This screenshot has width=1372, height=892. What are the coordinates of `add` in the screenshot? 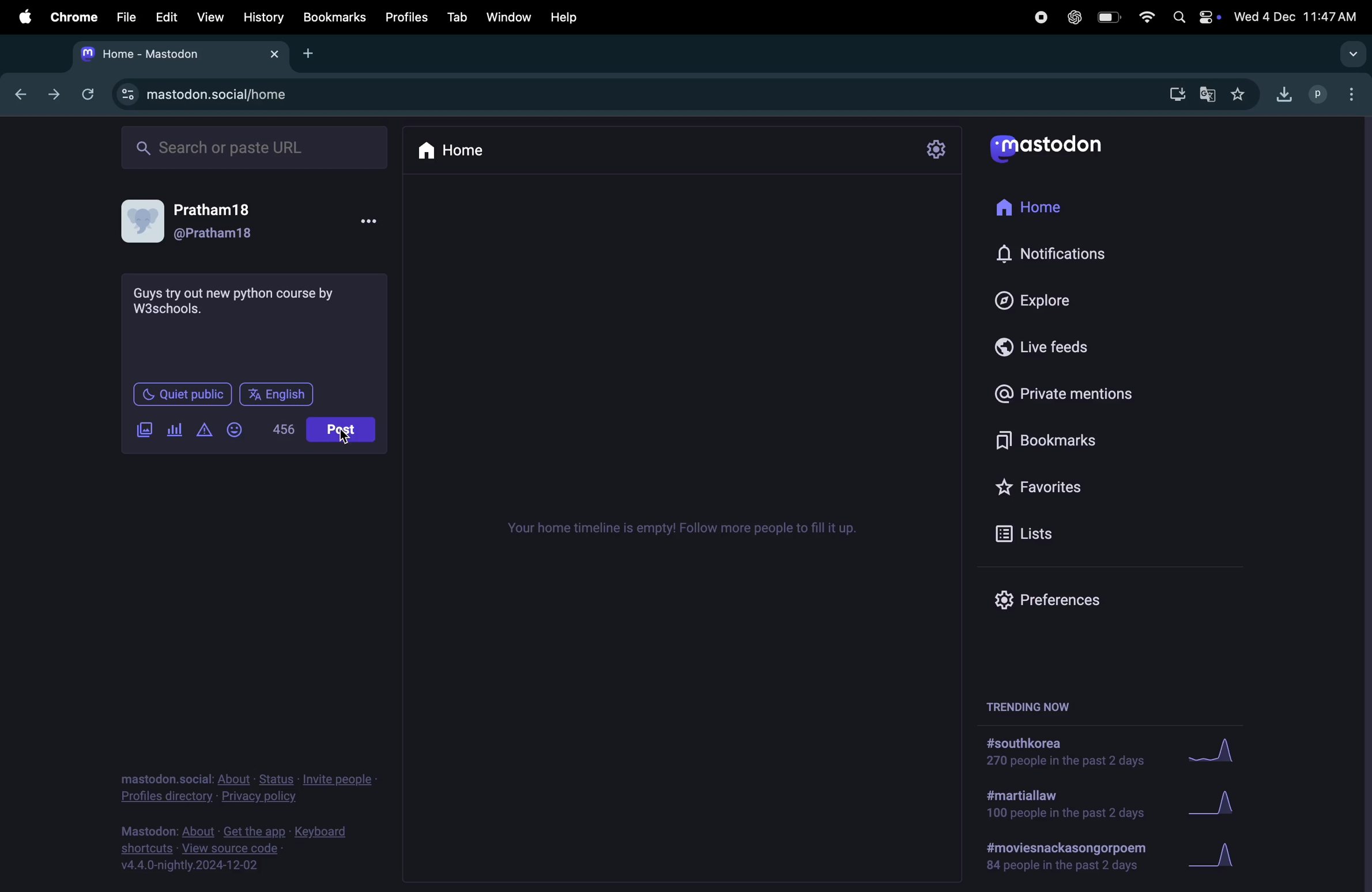 It's located at (312, 54).